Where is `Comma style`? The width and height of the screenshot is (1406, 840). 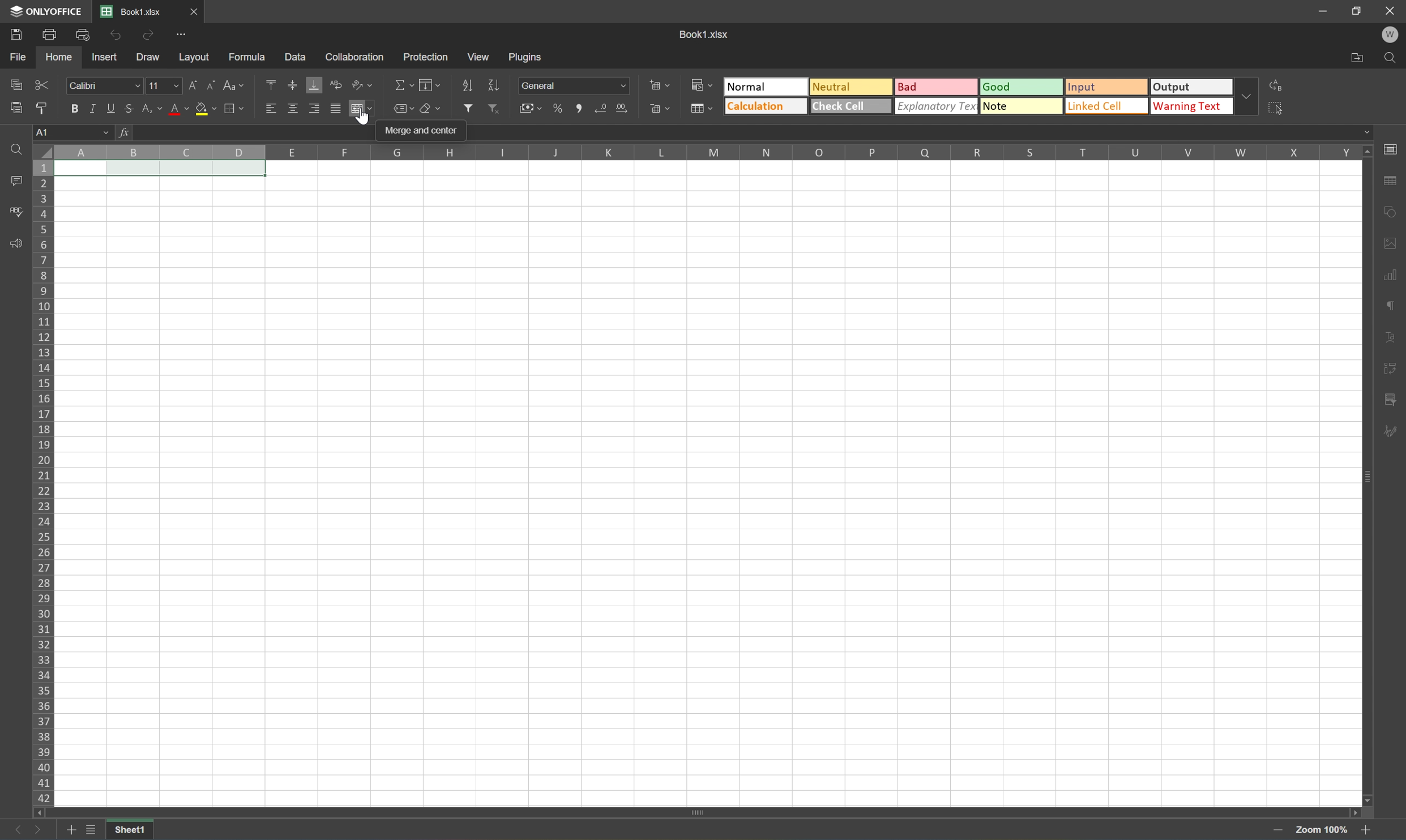 Comma style is located at coordinates (582, 109).